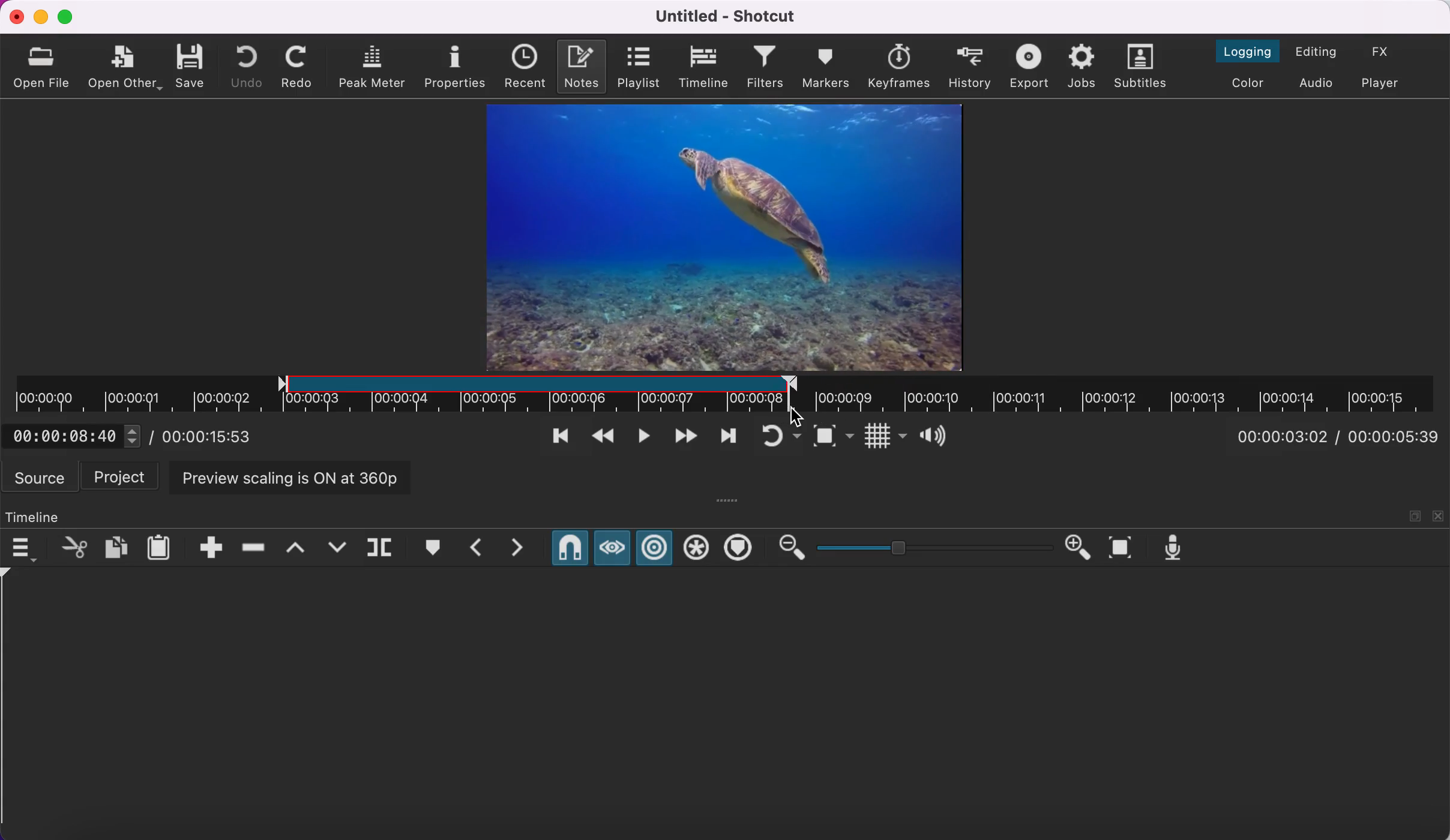  Describe the element at coordinates (1415, 515) in the screenshot. I see `maximize` at that location.